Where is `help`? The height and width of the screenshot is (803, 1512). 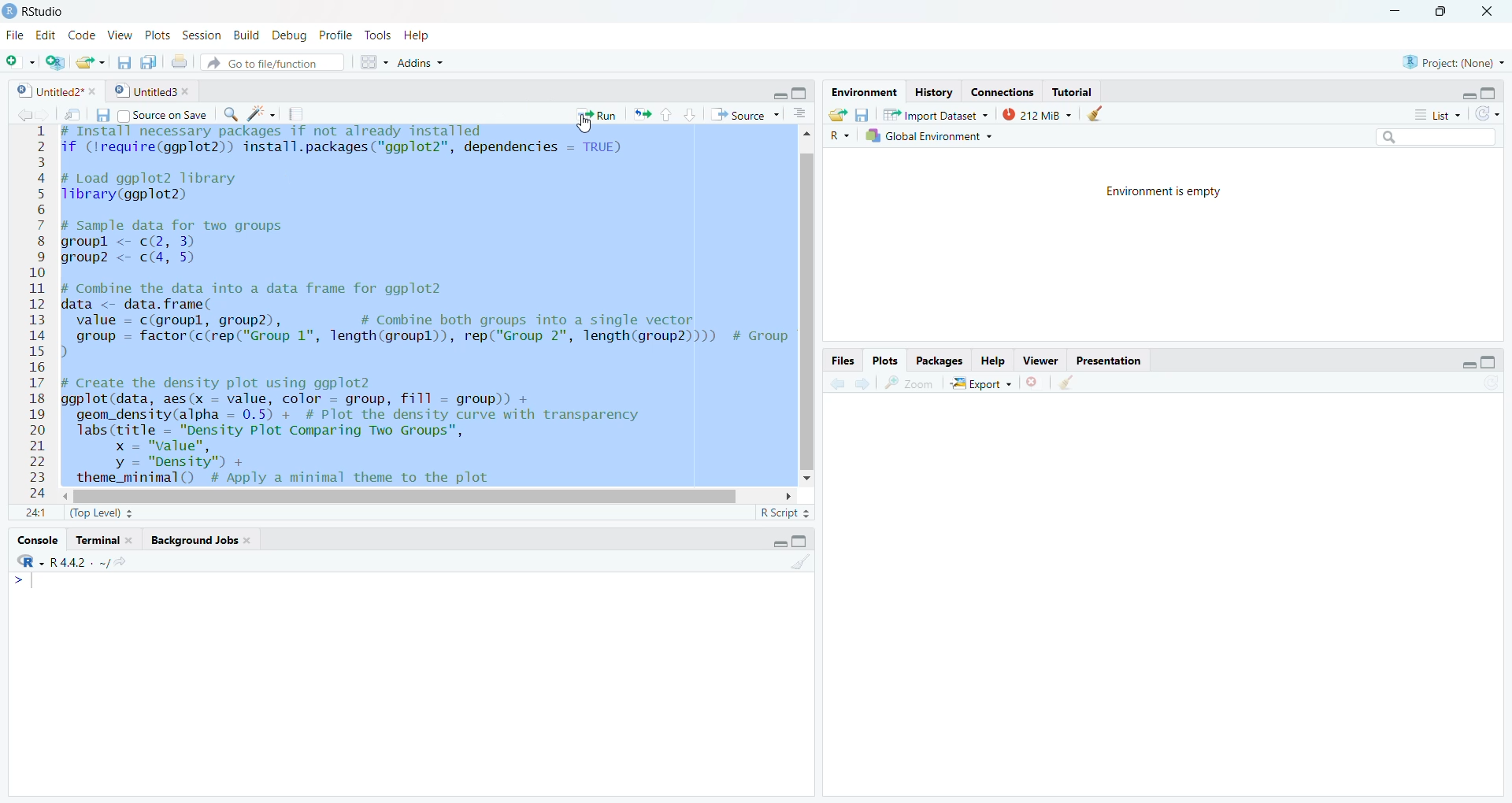
help is located at coordinates (422, 39).